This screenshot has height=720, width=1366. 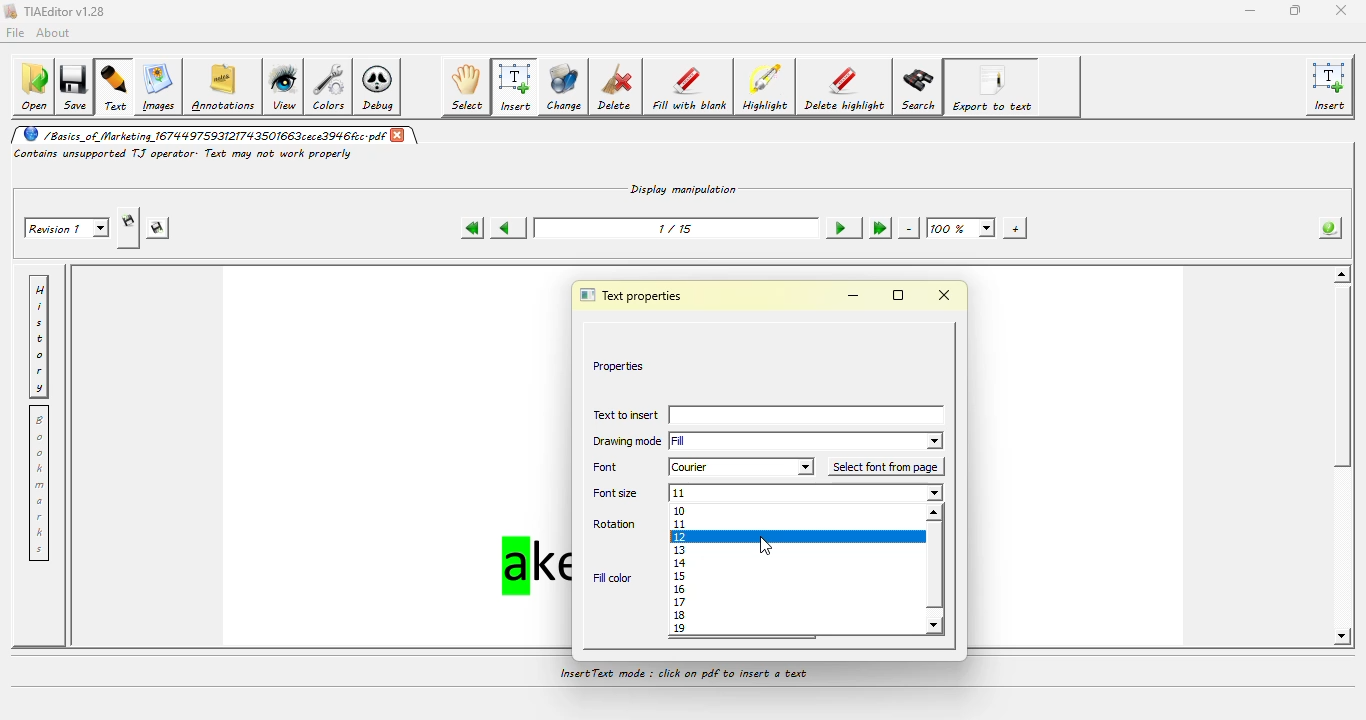 What do you see at coordinates (684, 675) in the screenshot?
I see `Insert Text mode : click on pdf to insert a text` at bounding box center [684, 675].